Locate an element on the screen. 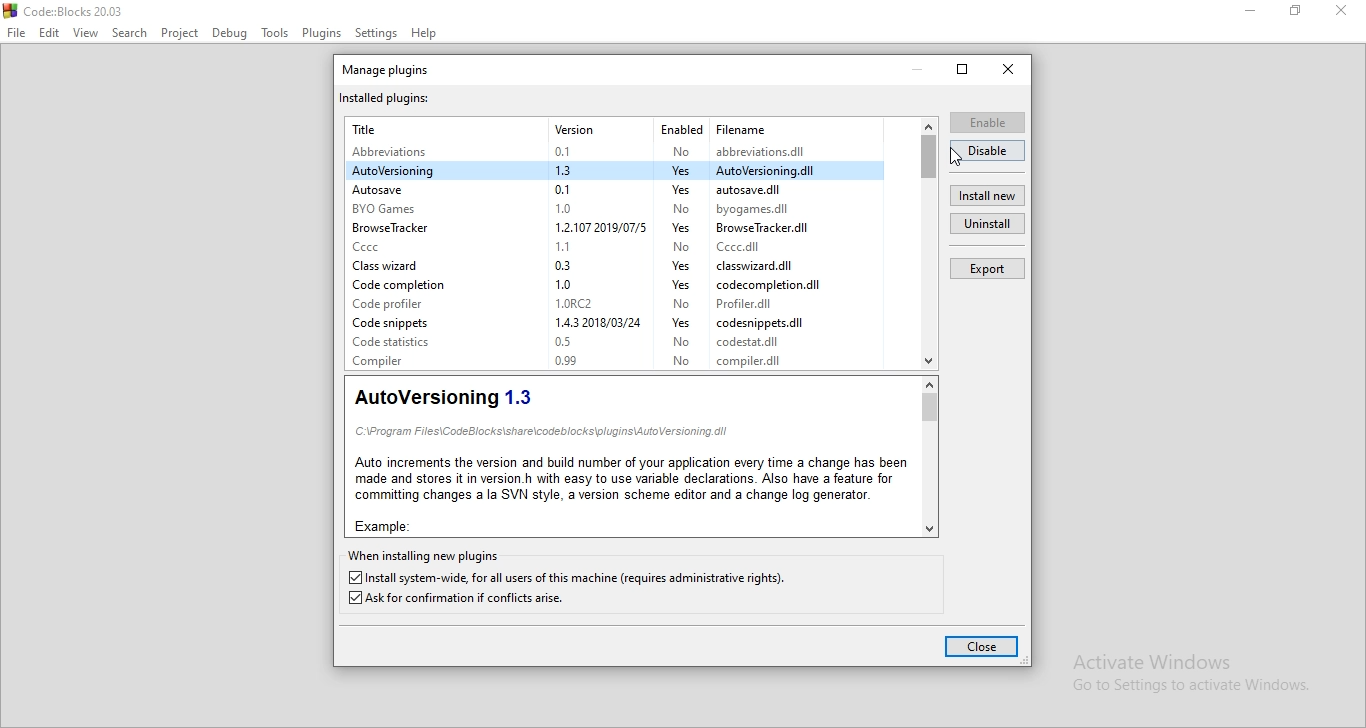  AutoVersioning is located at coordinates (400, 171).